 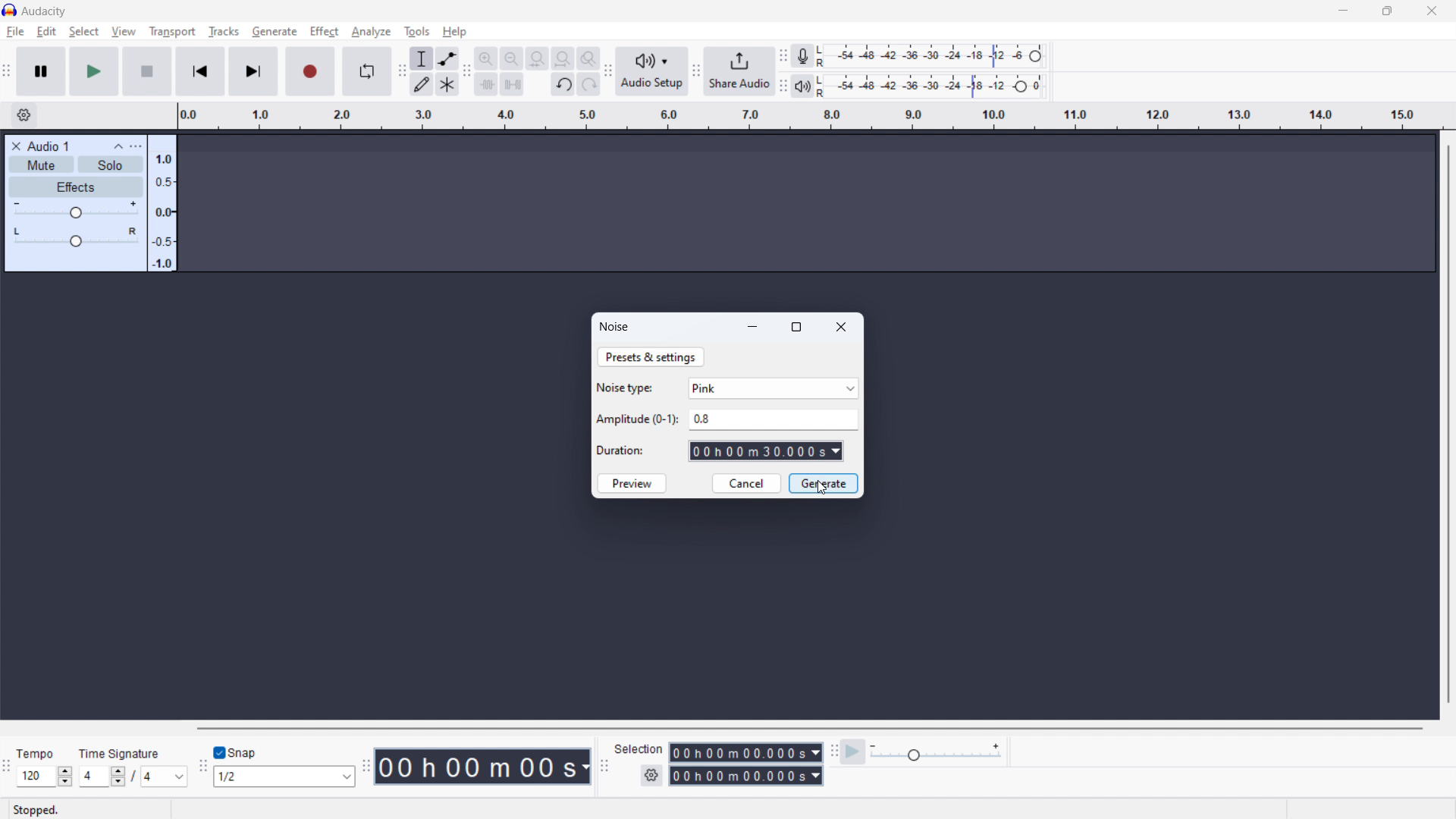 I want to click on trim audio outside selction, so click(x=487, y=83).